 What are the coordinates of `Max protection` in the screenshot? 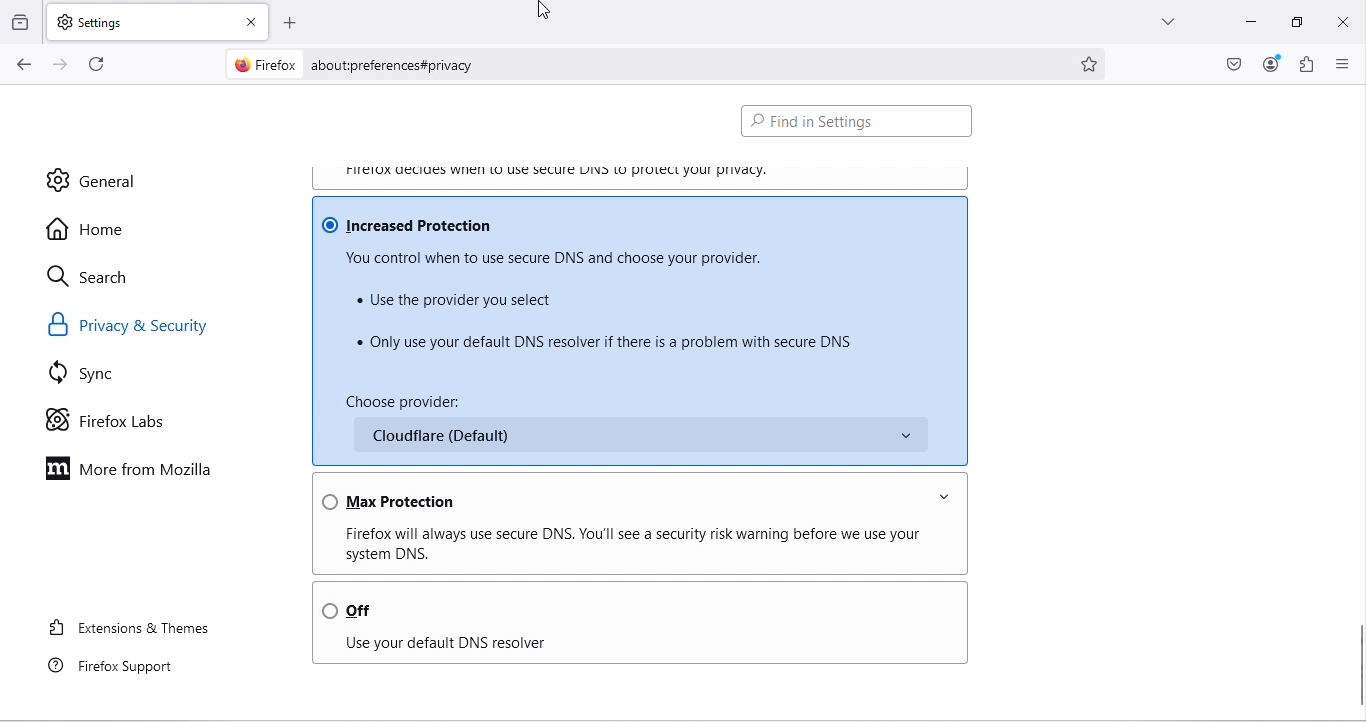 It's located at (634, 492).